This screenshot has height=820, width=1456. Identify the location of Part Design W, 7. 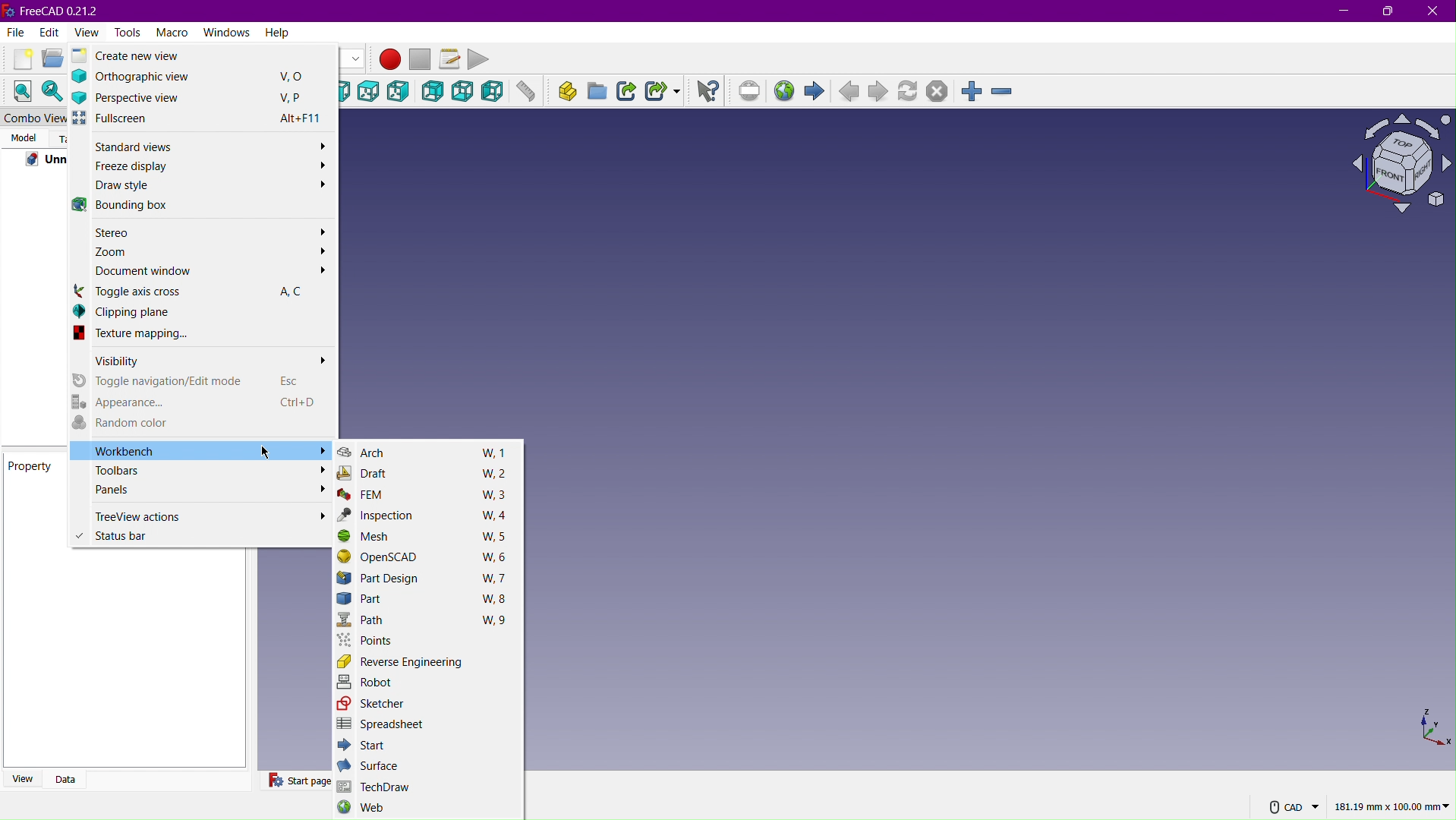
(429, 580).